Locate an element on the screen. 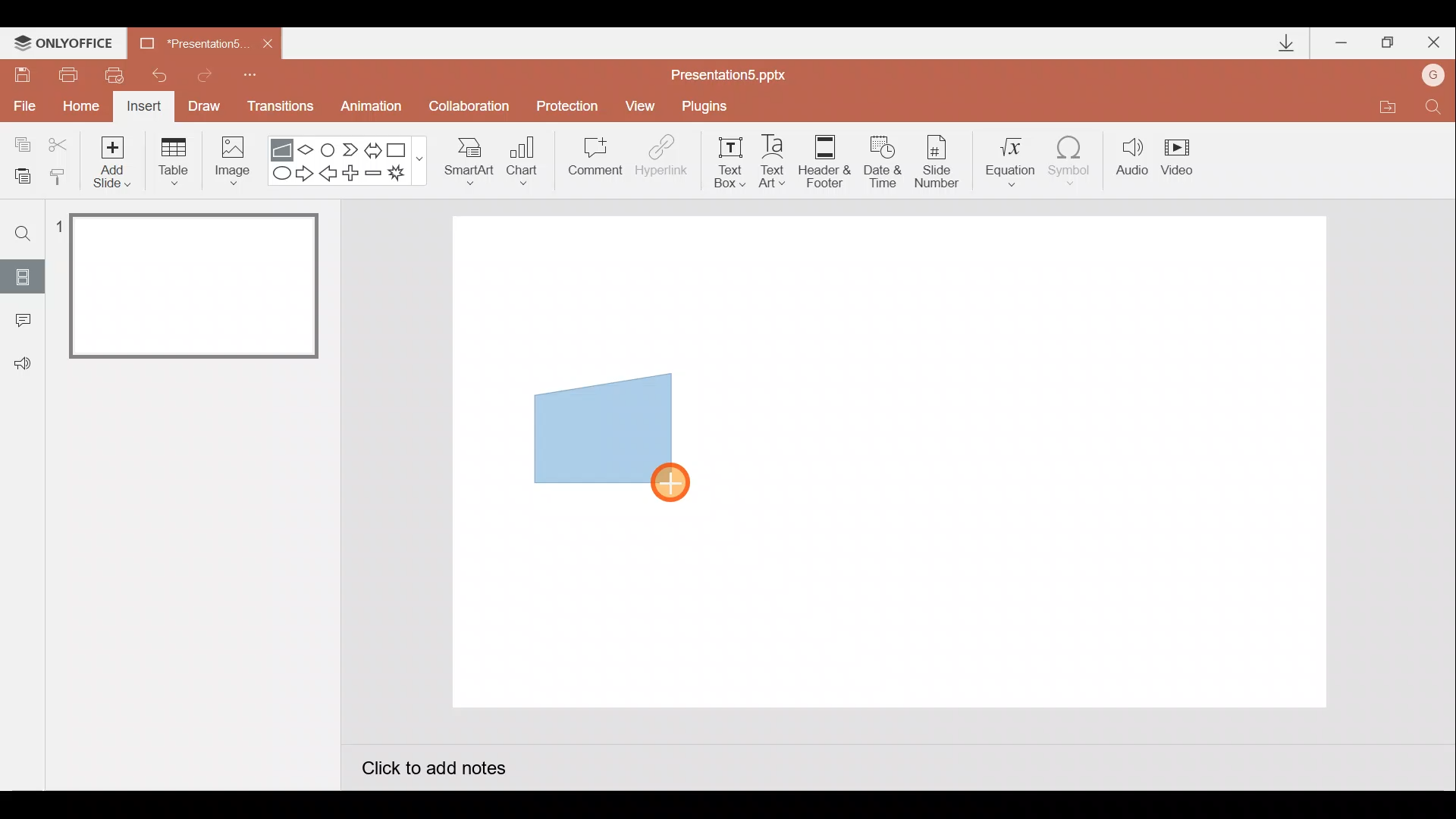 Image resolution: width=1456 pixels, height=819 pixels. Equation is located at coordinates (1013, 159).